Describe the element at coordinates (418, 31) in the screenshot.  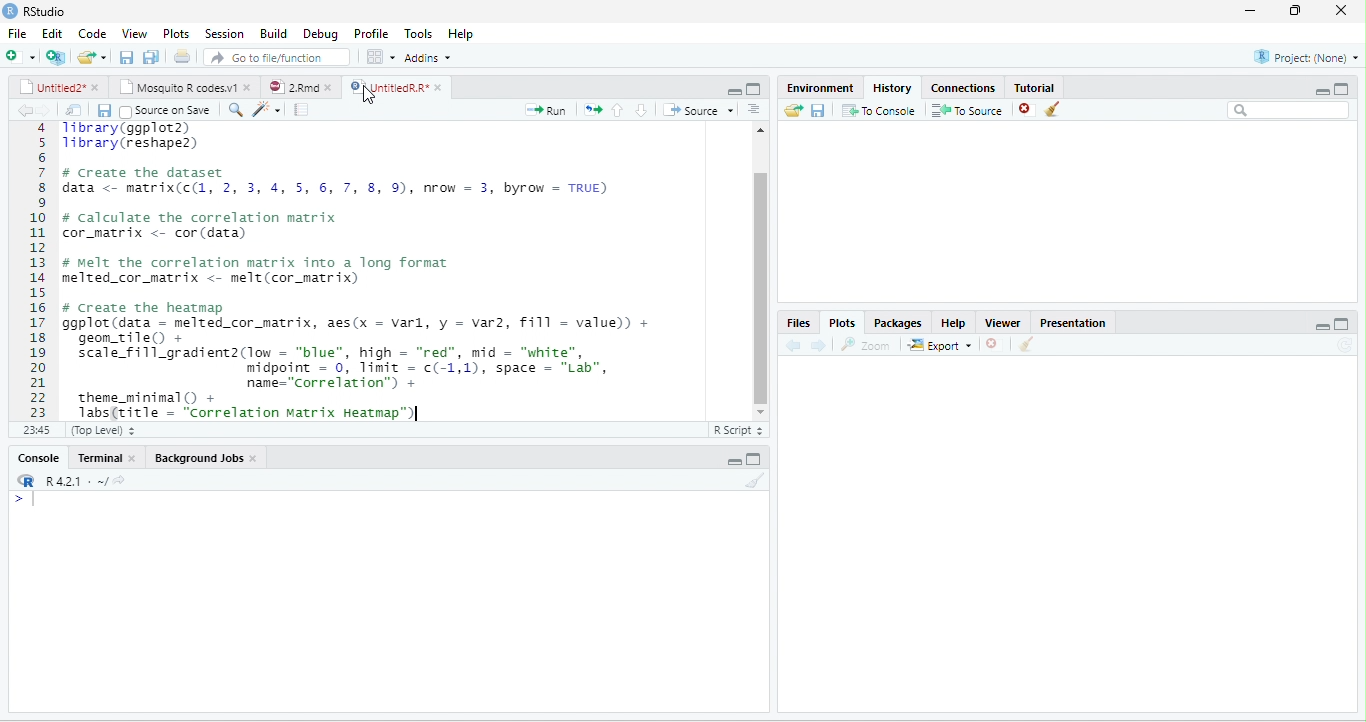
I see `tools` at that location.